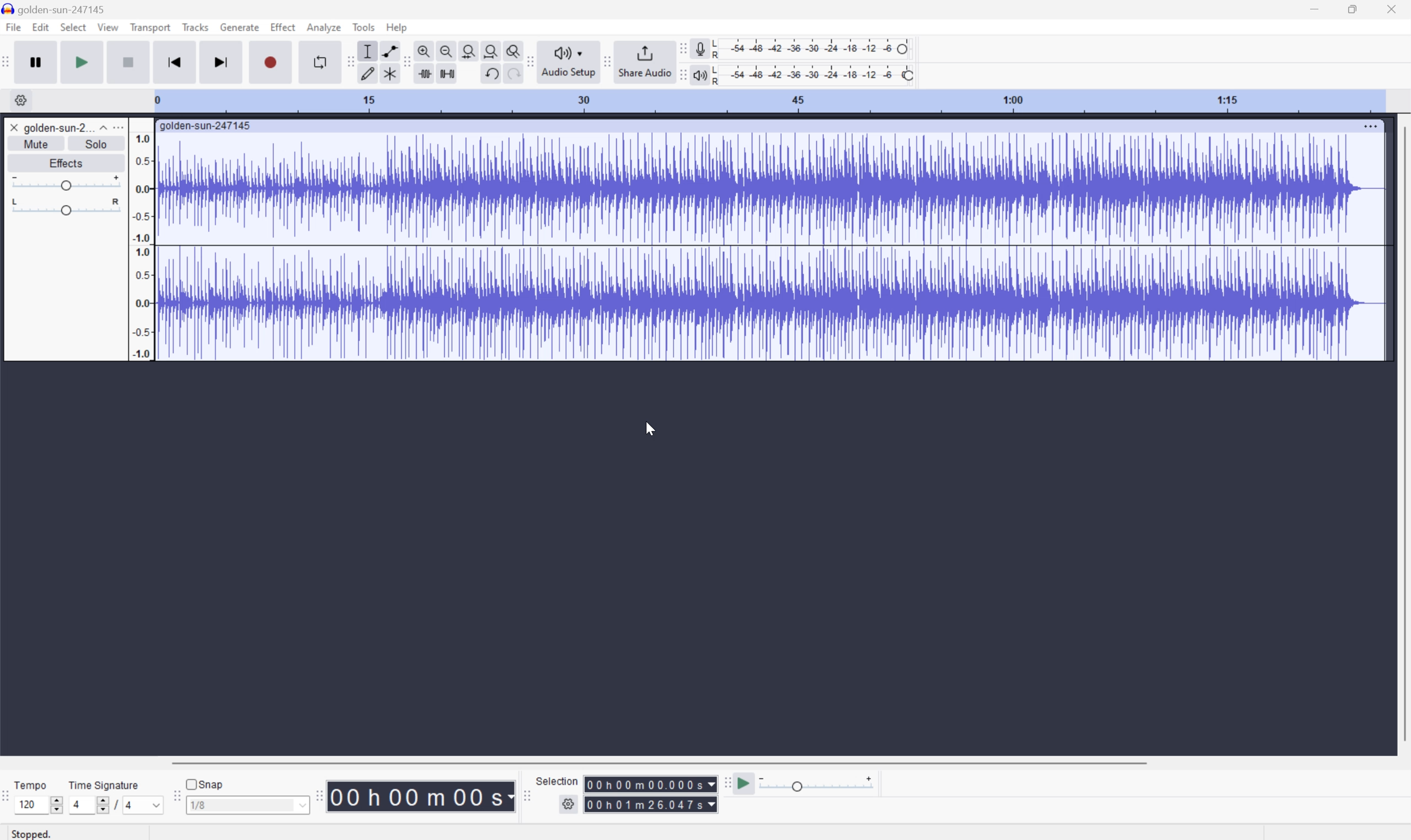  I want to click on Zoom toggle, so click(509, 49).